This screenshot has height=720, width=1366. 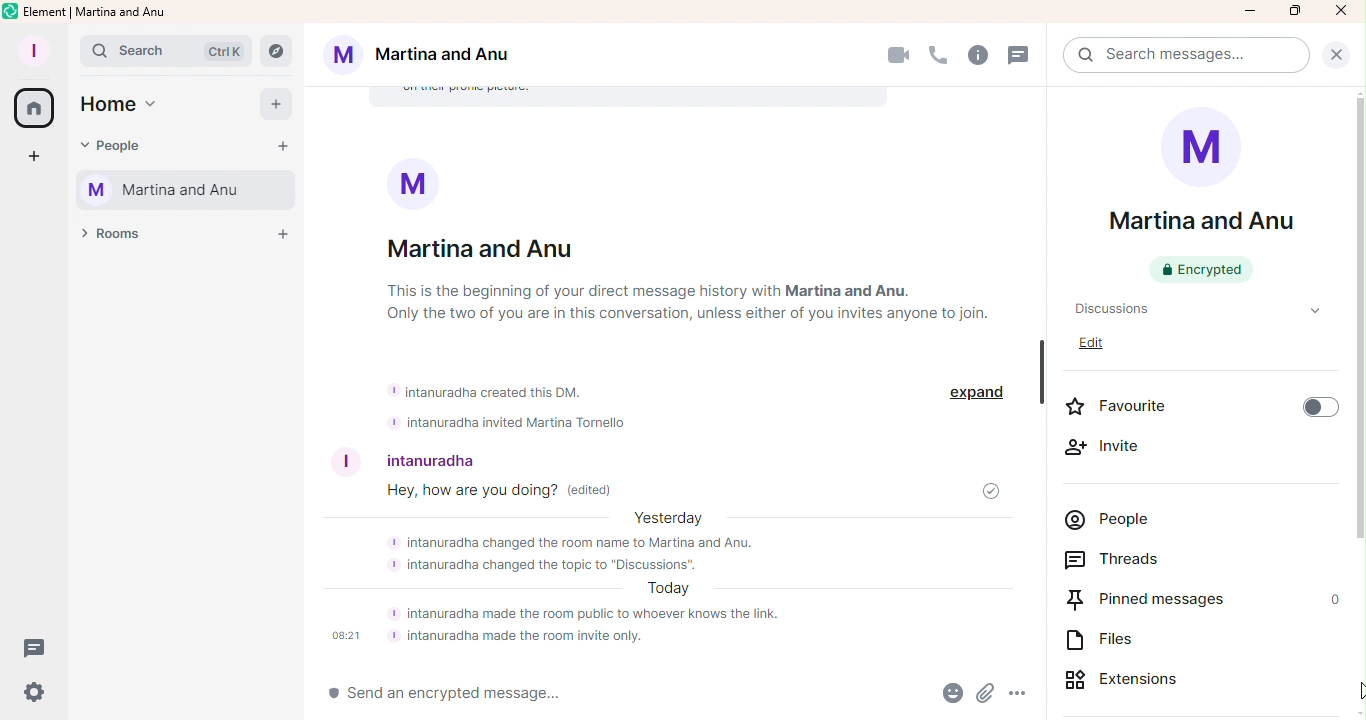 What do you see at coordinates (1019, 694) in the screenshot?
I see `More Options` at bounding box center [1019, 694].